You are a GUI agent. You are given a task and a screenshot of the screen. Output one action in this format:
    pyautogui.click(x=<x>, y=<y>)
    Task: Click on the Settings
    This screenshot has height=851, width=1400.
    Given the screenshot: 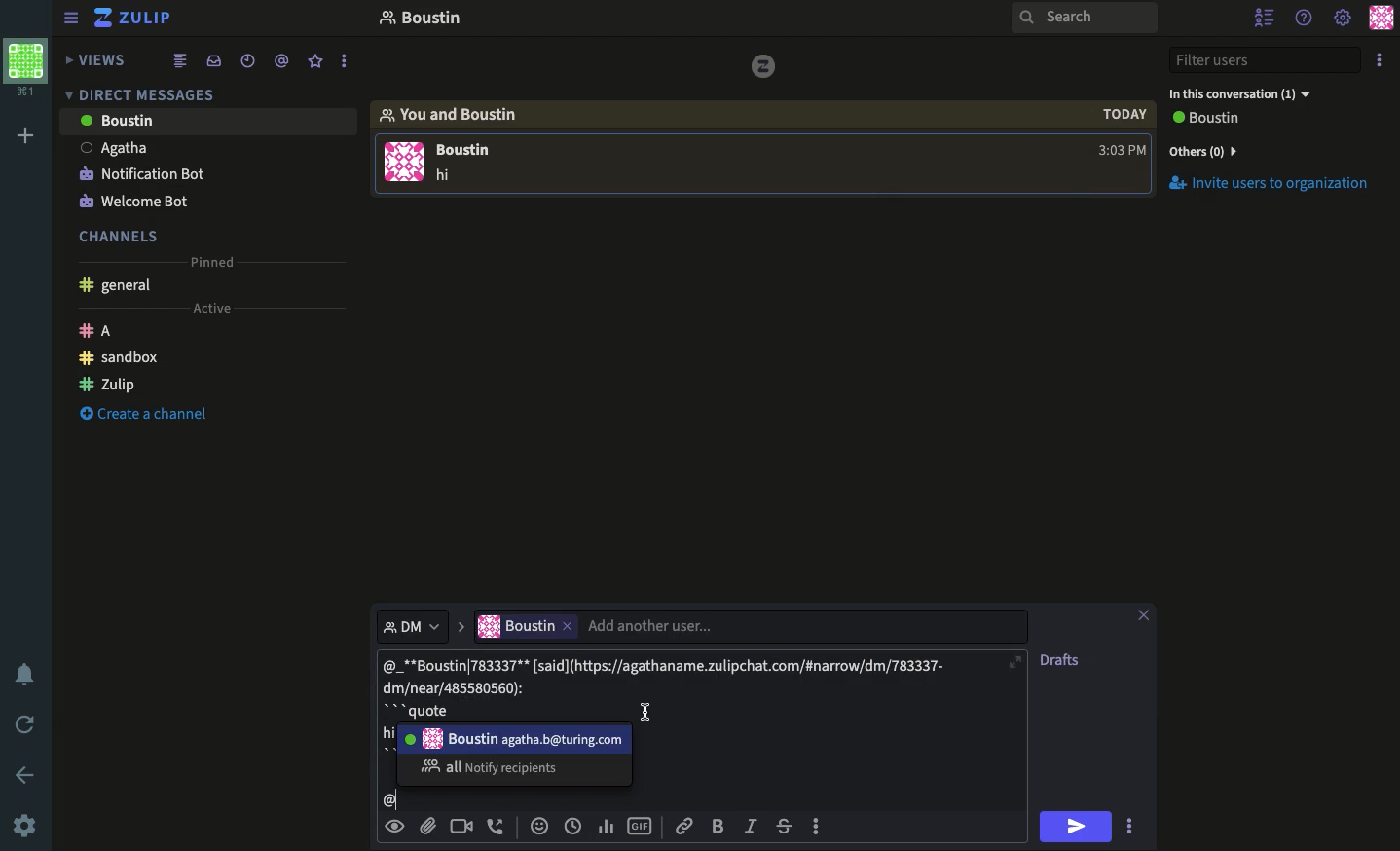 What is the action you would take?
    pyautogui.click(x=27, y=825)
    